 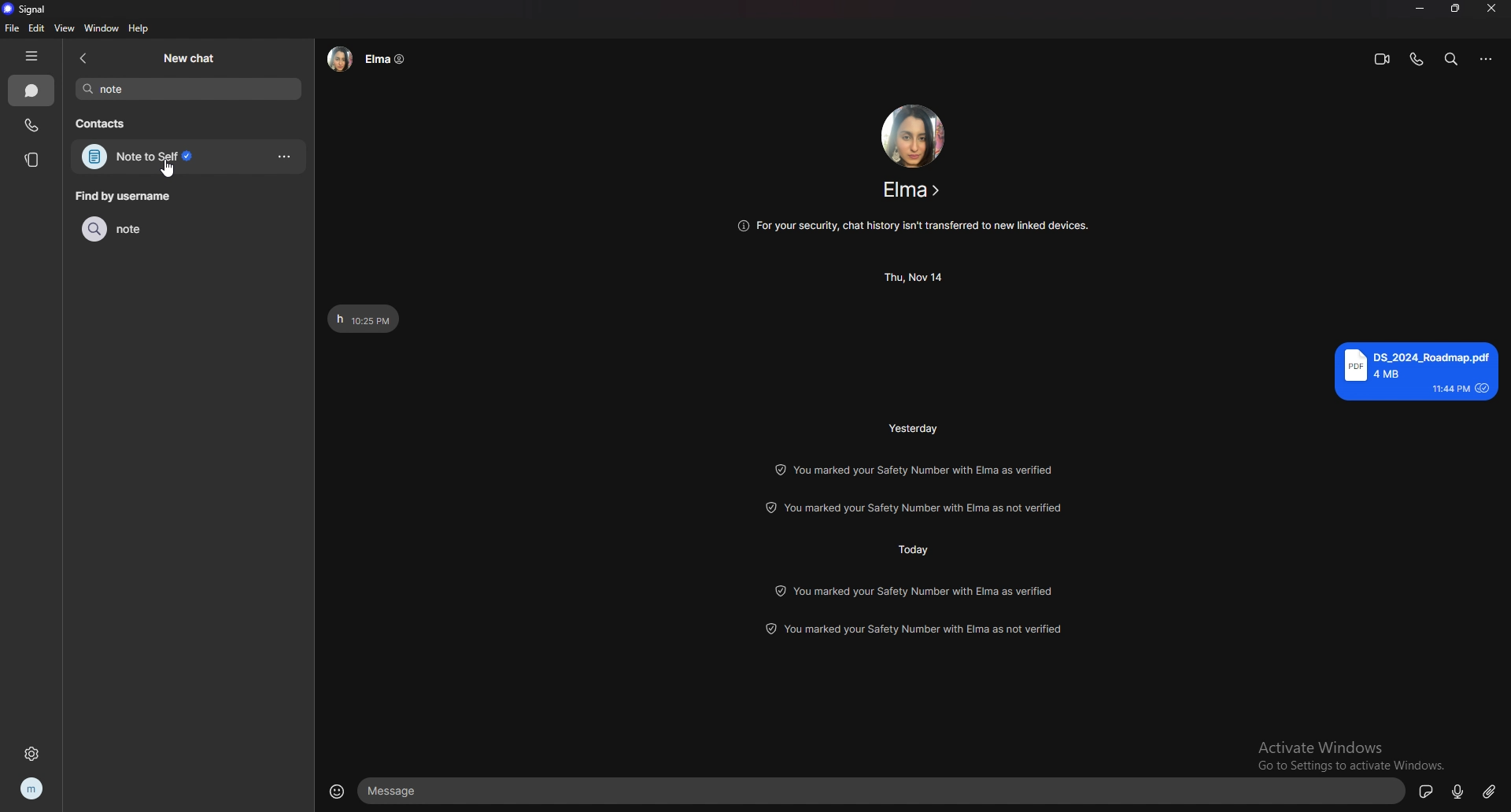 What do you see at coordinates (1416, 59) in the screenshot?
I see `voice call` at bounding box center [1416, 59].